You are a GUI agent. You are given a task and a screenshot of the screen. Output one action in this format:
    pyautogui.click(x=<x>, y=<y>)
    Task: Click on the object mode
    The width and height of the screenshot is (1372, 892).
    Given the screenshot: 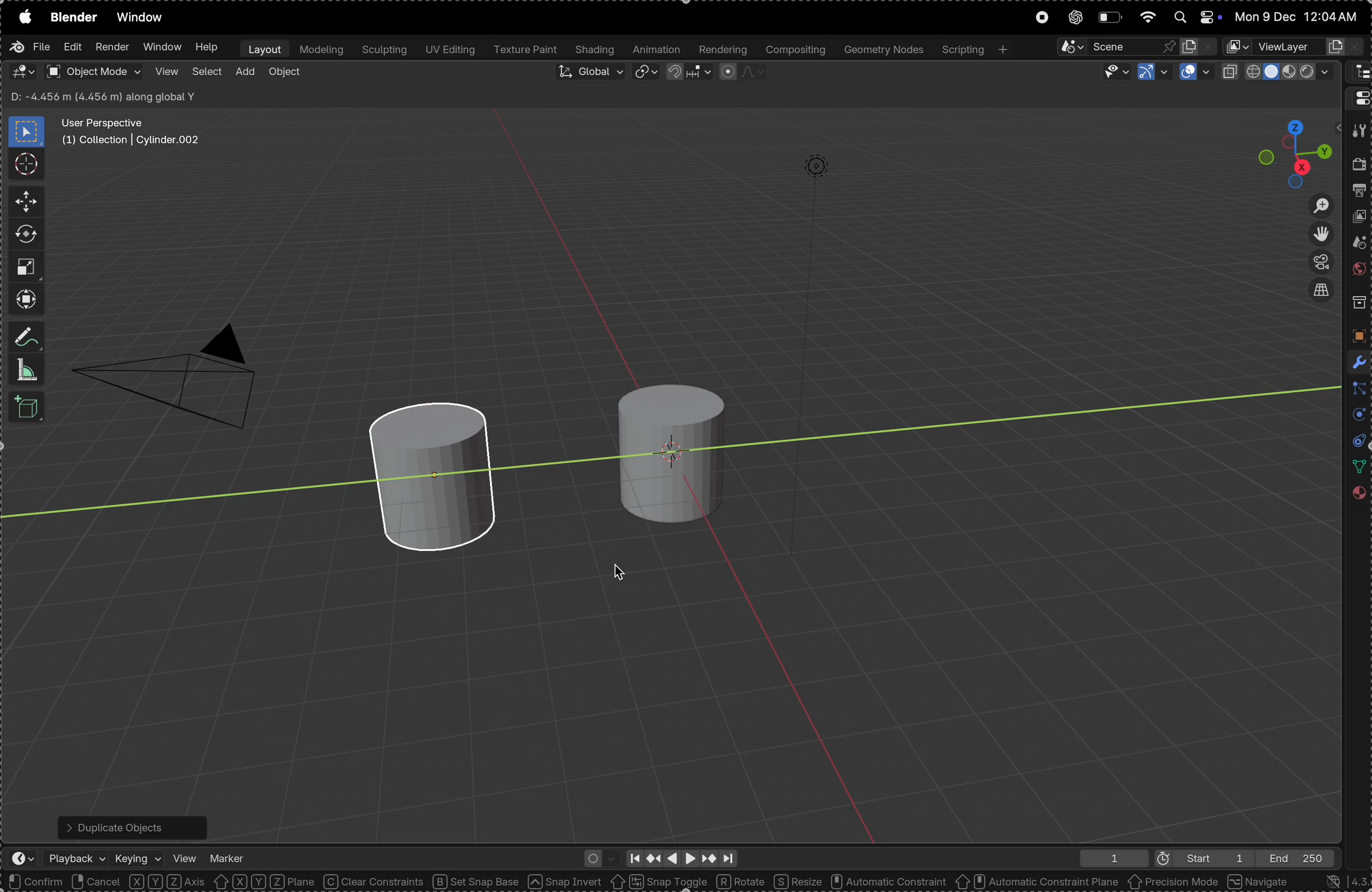 What is the action you would take?
    pyautogui.click(x=93, y=71)
    